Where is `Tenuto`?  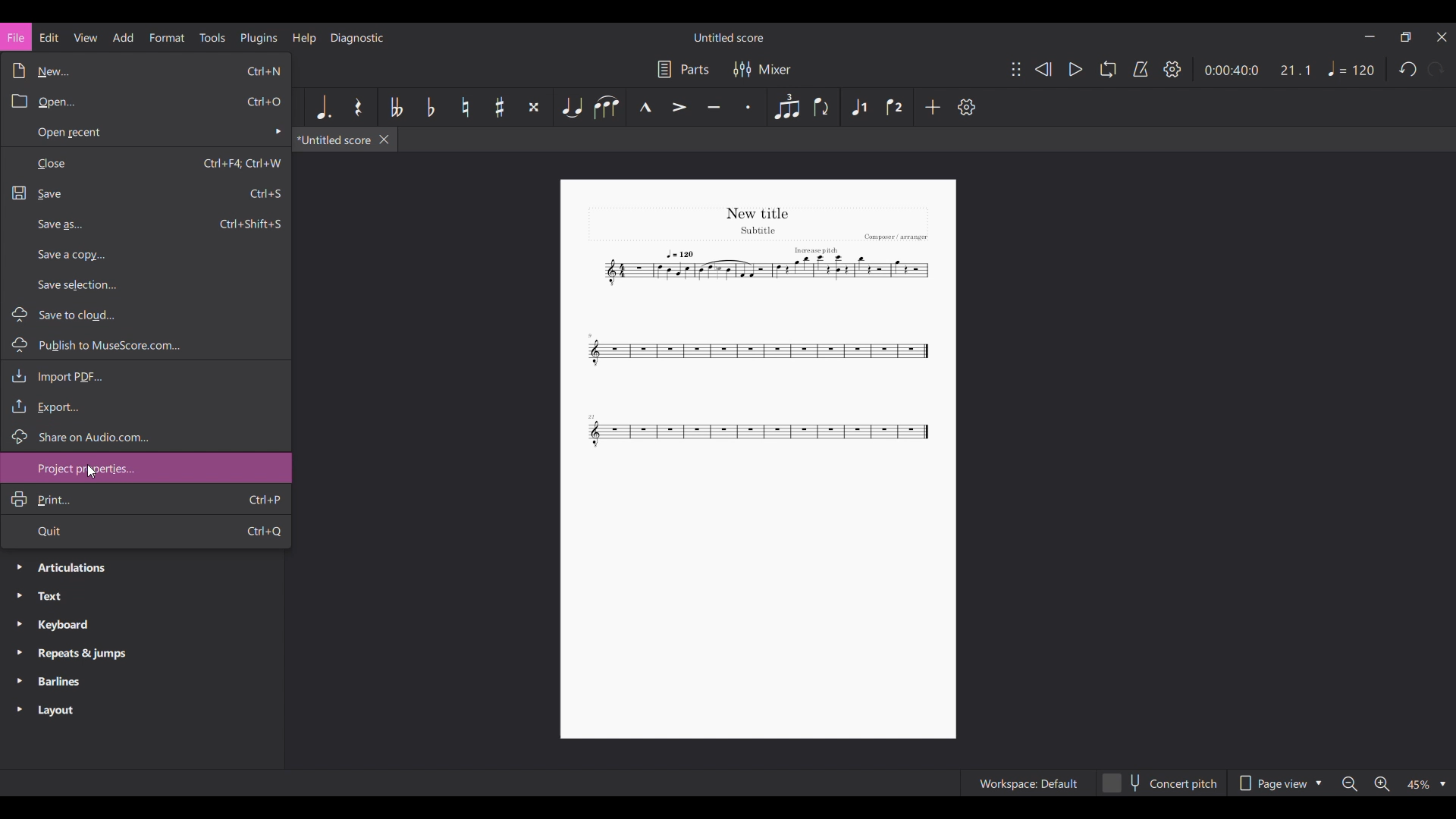
Tenuto is located at coordinates (714, 107).